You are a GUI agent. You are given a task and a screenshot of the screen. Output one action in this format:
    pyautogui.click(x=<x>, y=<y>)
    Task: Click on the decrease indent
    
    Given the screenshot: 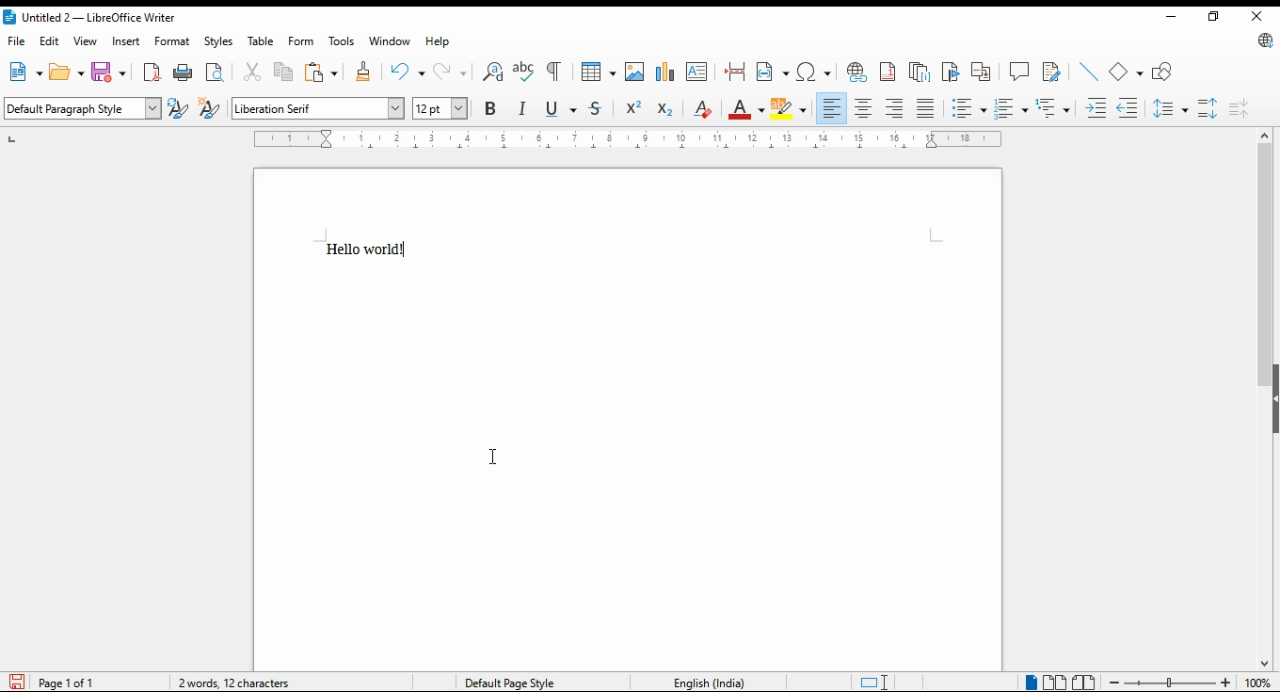 What is the action you would take?
    pyautogui.click(x=1128, y=111)
    